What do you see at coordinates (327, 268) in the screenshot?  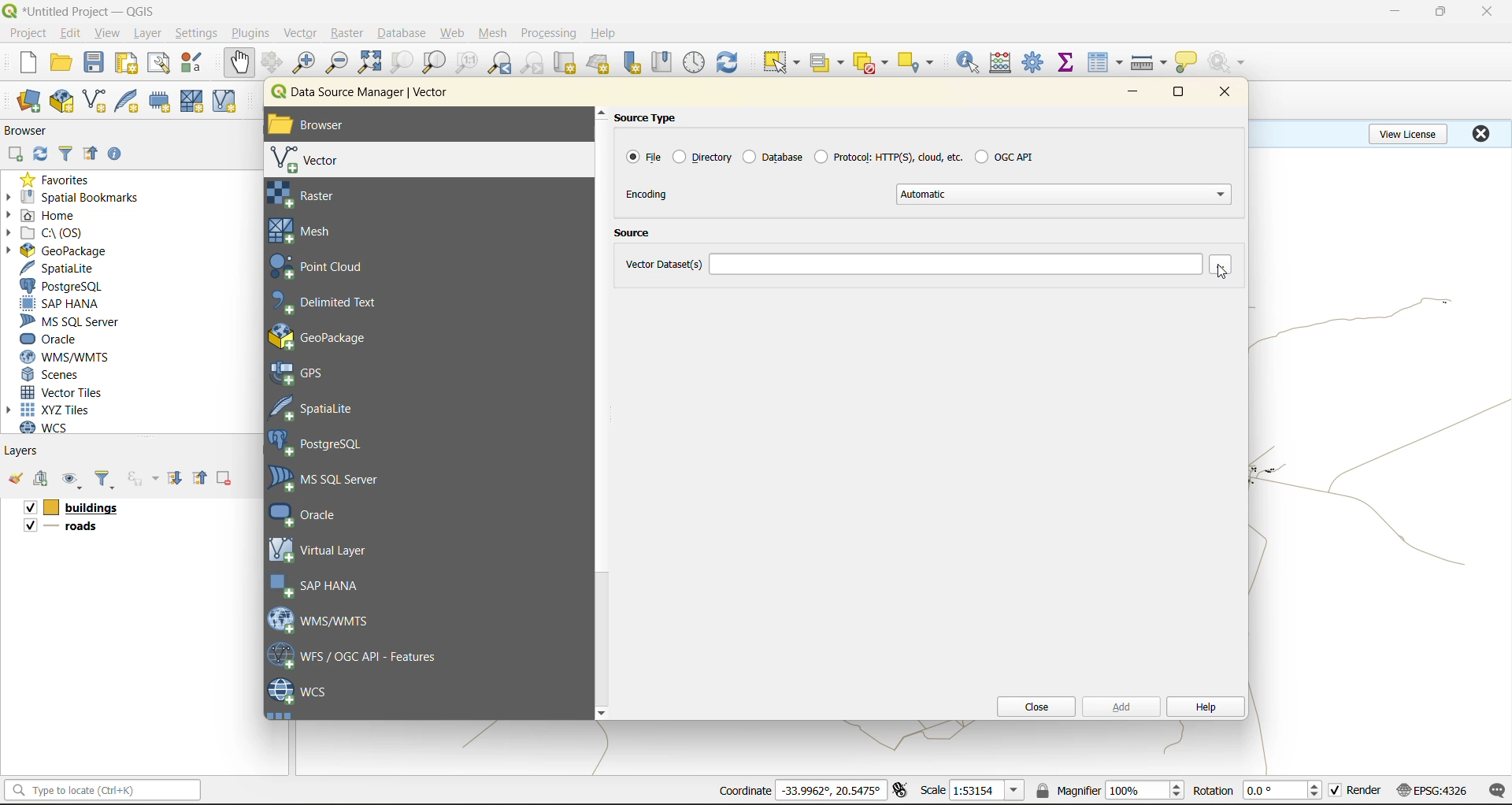 I see `point cloud` at bounding box center [327, 268].